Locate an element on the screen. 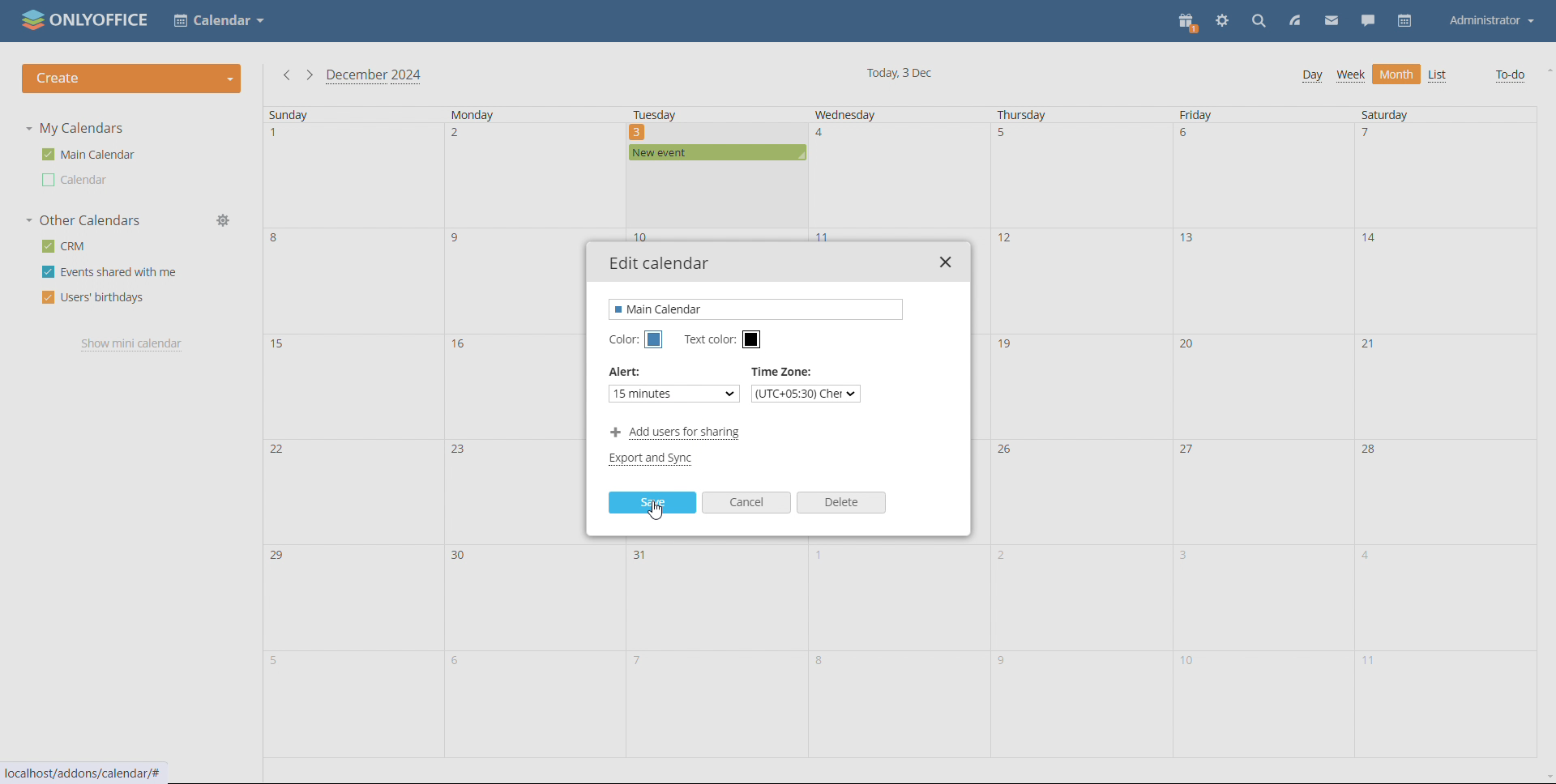  date is located at coordinates (713, 704).